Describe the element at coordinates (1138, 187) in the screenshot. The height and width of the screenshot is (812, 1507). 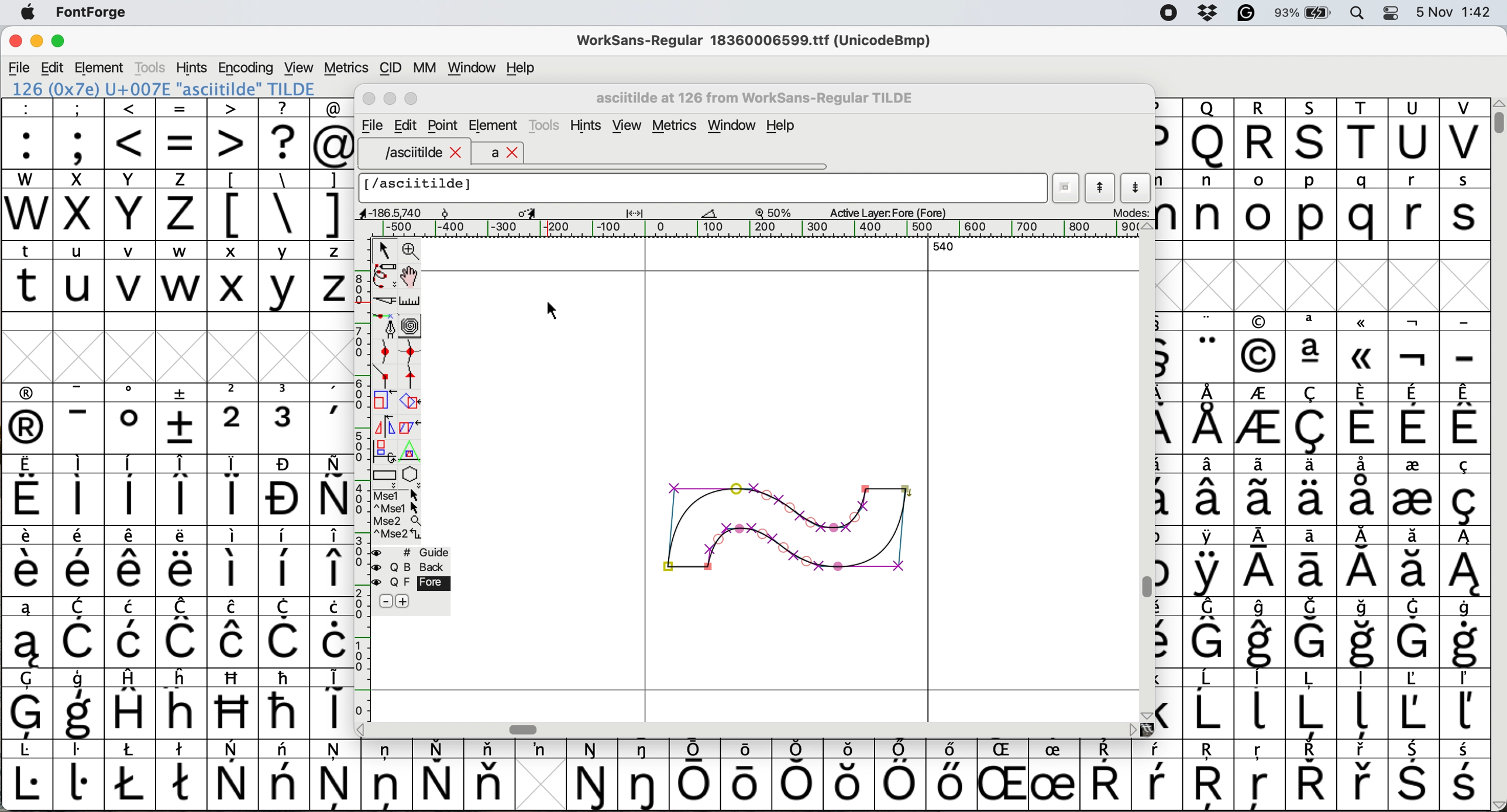
I see `show next letter` at that location.